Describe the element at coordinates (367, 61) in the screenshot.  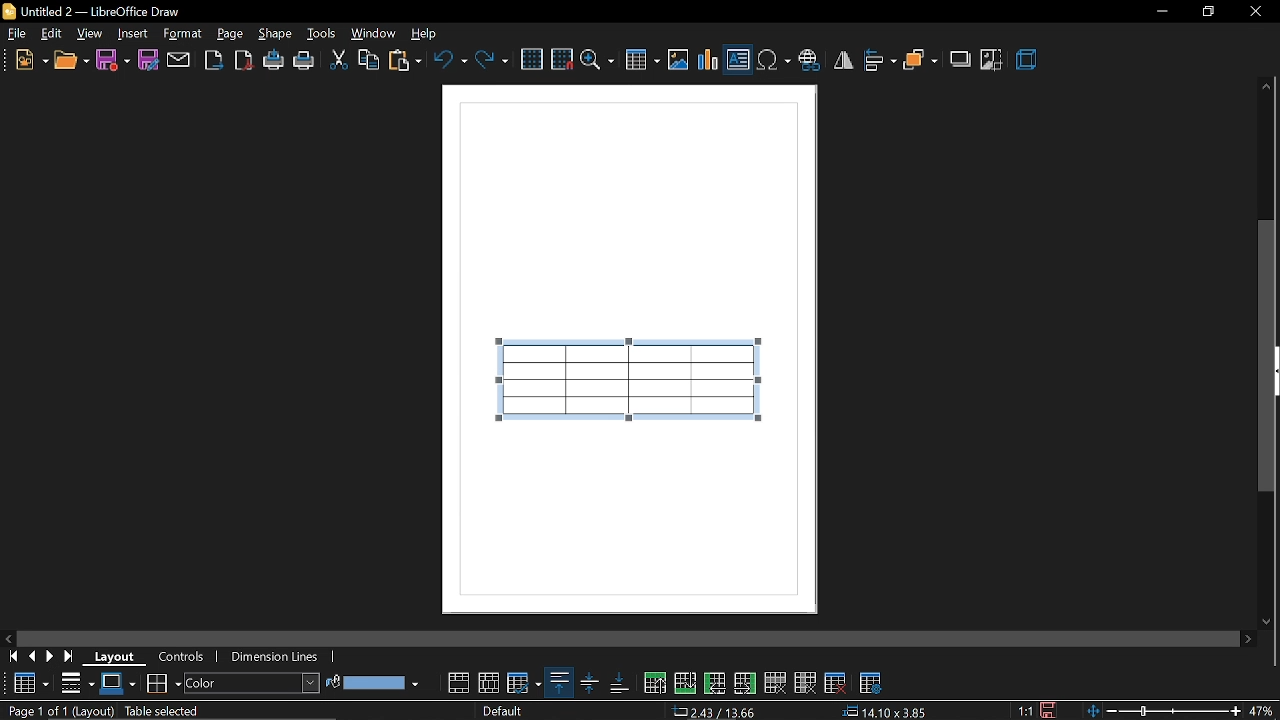
I see `copy` at that location.